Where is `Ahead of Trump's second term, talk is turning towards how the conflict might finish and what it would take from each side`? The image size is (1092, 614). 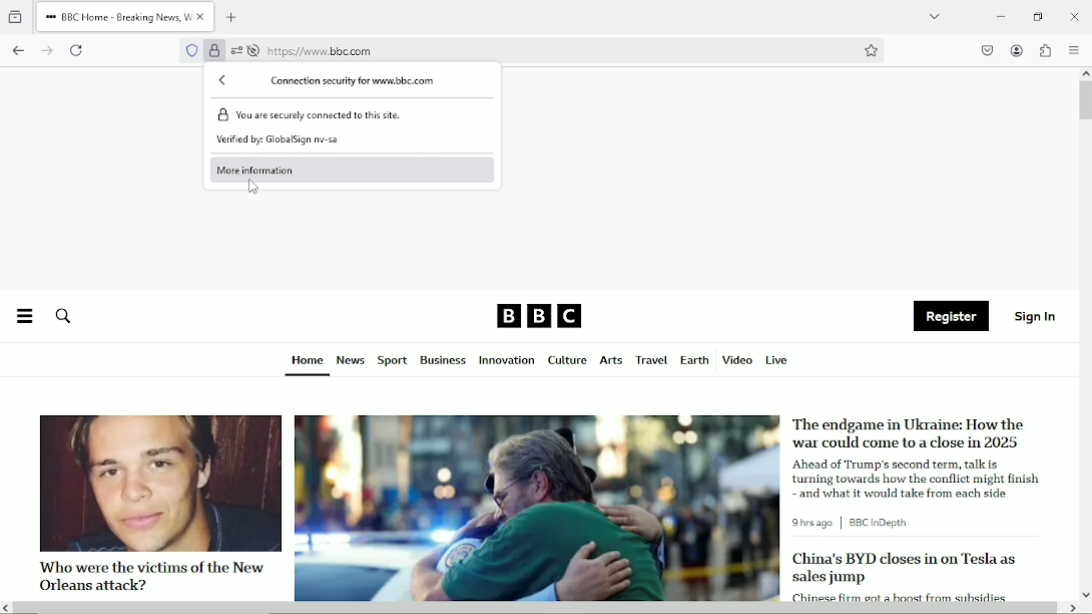
Ahead of Trump's second term, talk is turning towards how the conflict might finish and what it would take from each side is located at coordinates (919, 478).